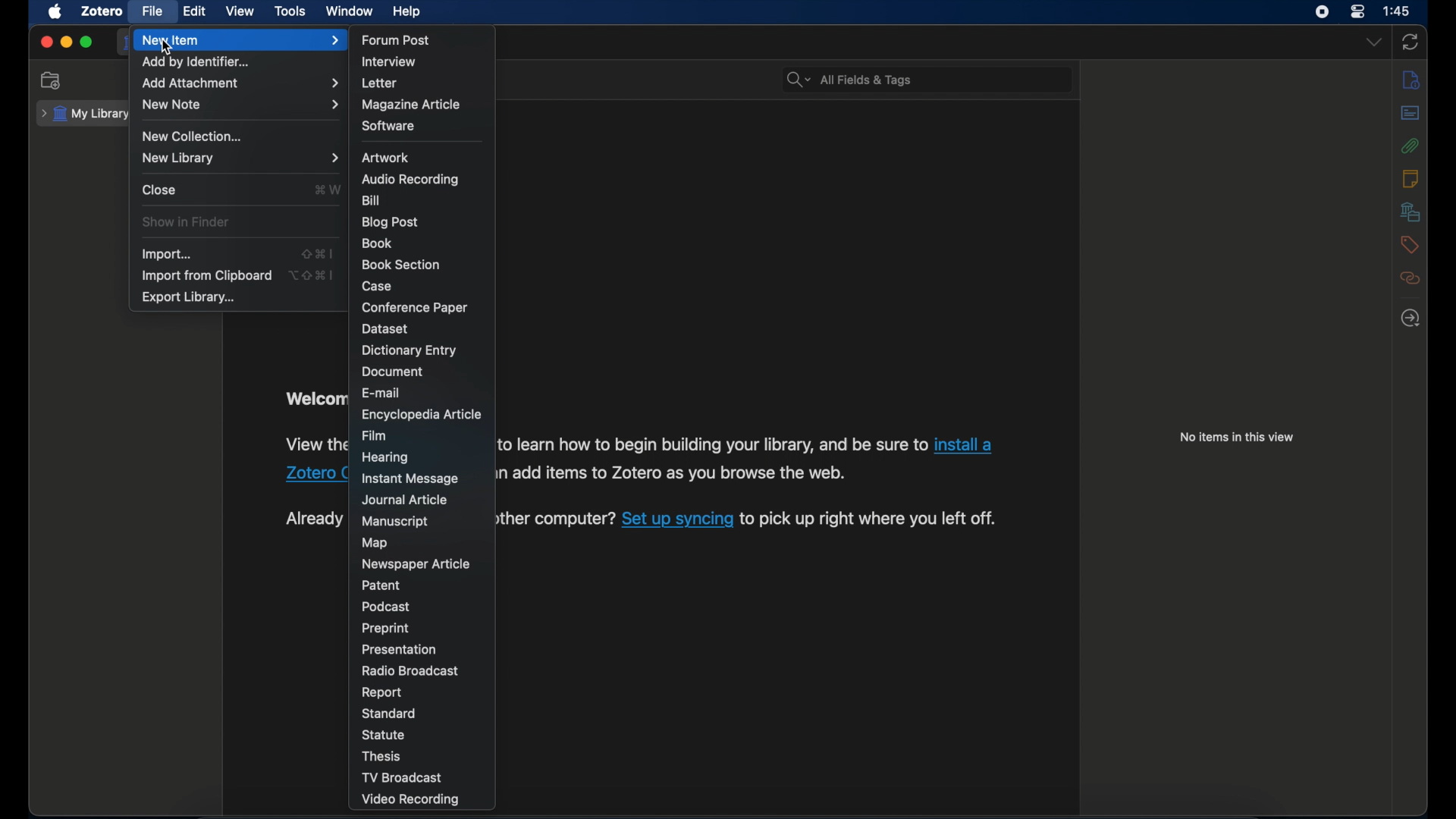 This screenshot has width=1456, height=819. I want to click on standard, so click(391, 713).